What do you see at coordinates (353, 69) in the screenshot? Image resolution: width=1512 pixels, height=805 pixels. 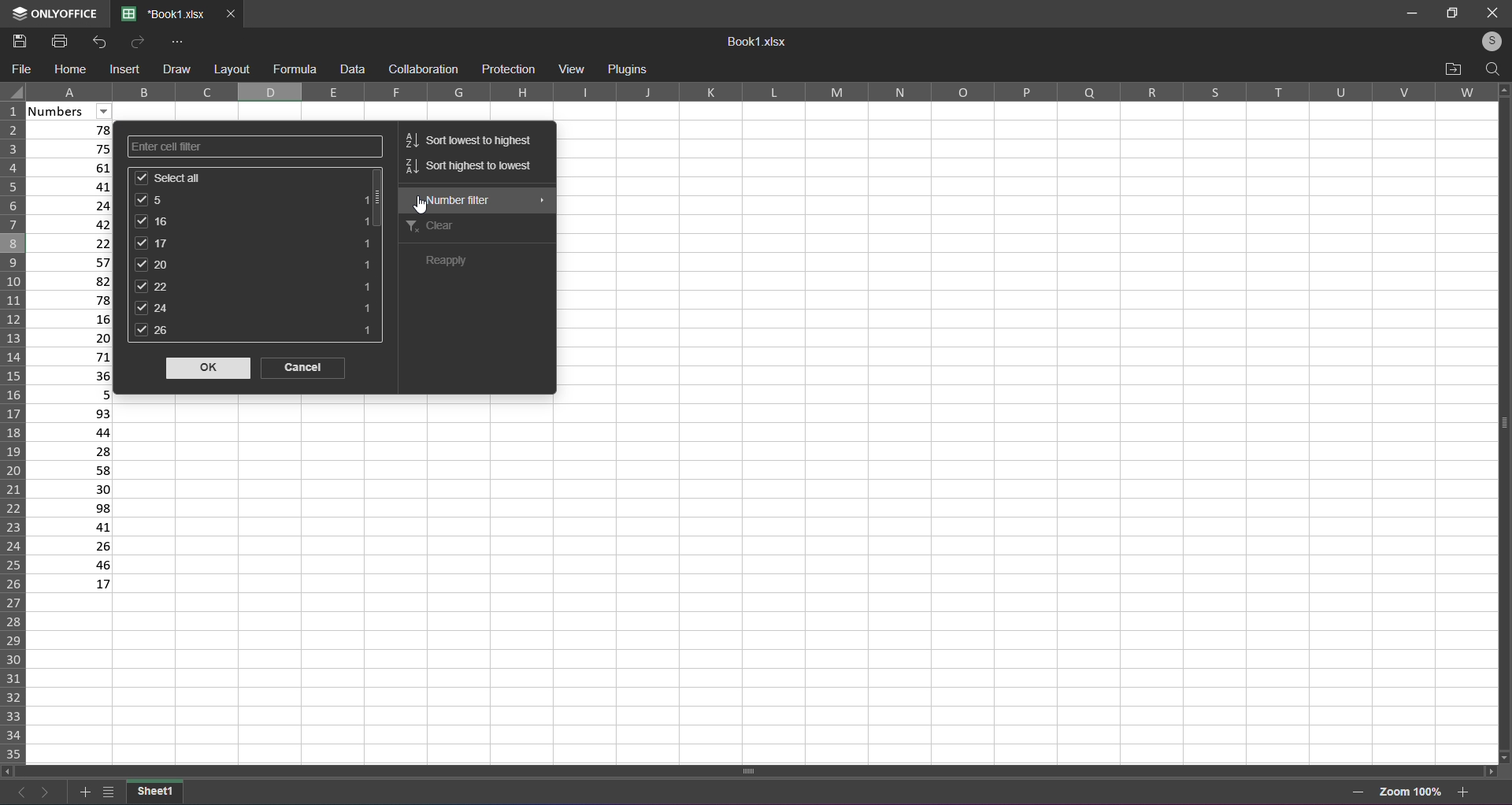 I see `data` at bounding box center [353, 69].